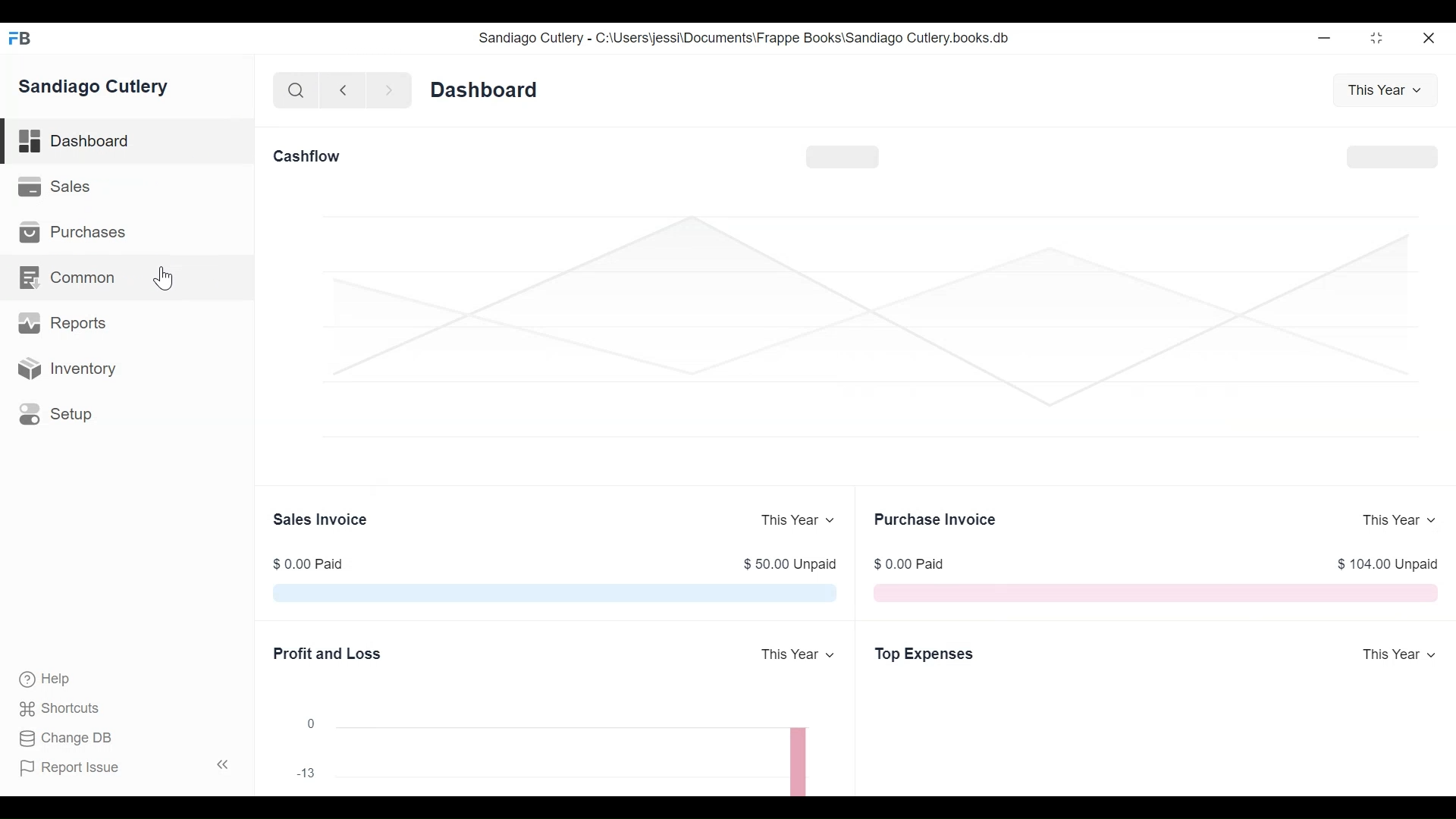 Image resolution: width=1456 pixels, height=819 pixels. I want to click on This Year, so click(798, 520).